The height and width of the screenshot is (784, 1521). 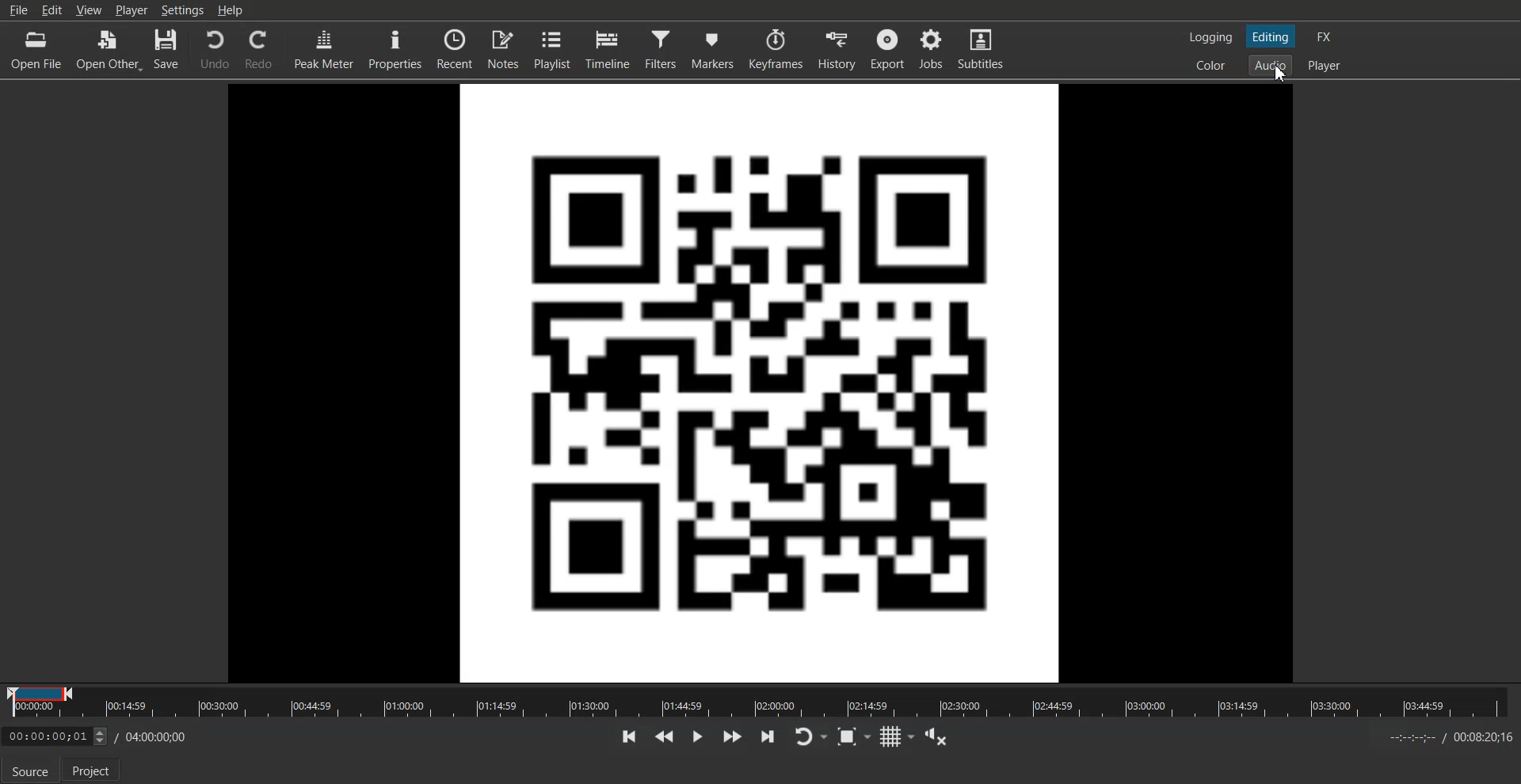 What do you see at coordinates (553, 49) in the screenshot?
I see `Playlist` at bounding box center [553, 49].